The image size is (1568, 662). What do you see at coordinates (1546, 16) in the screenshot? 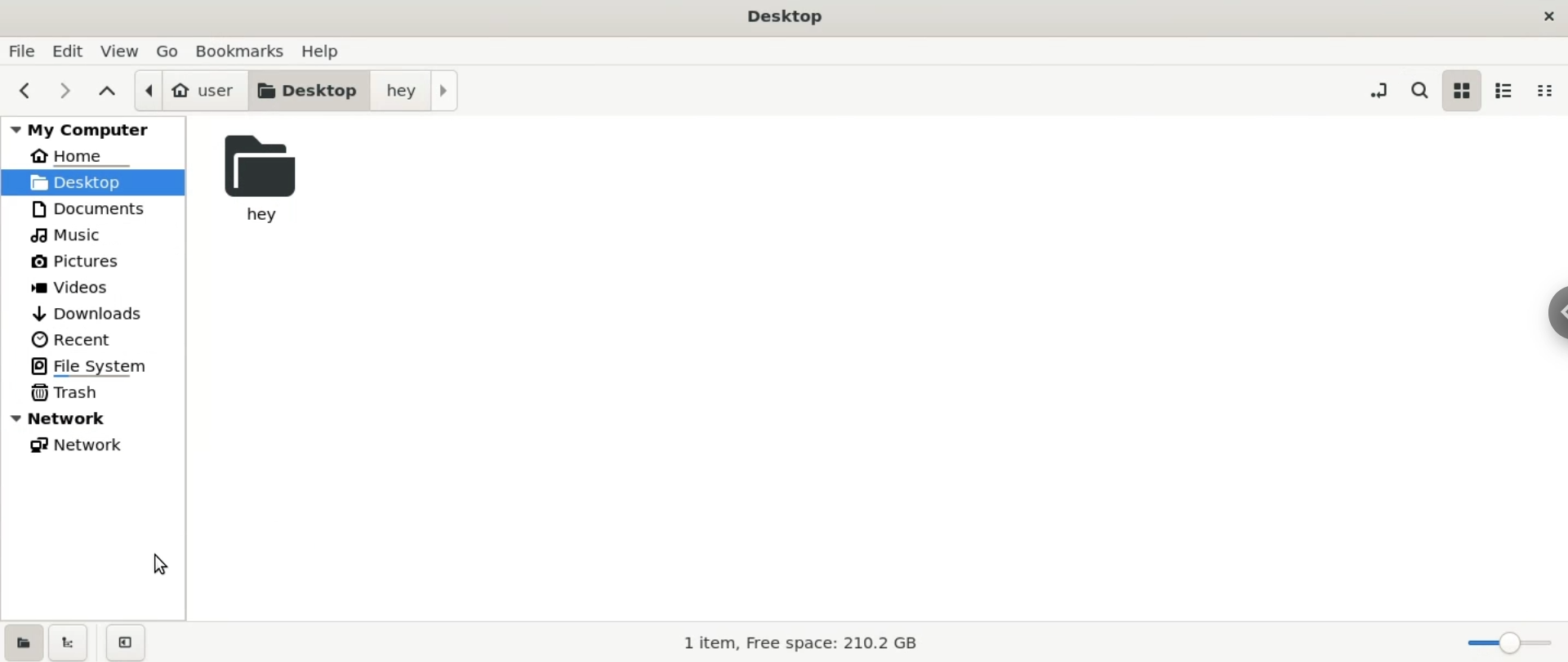
I see `close` at bounding box center [1546, 16].